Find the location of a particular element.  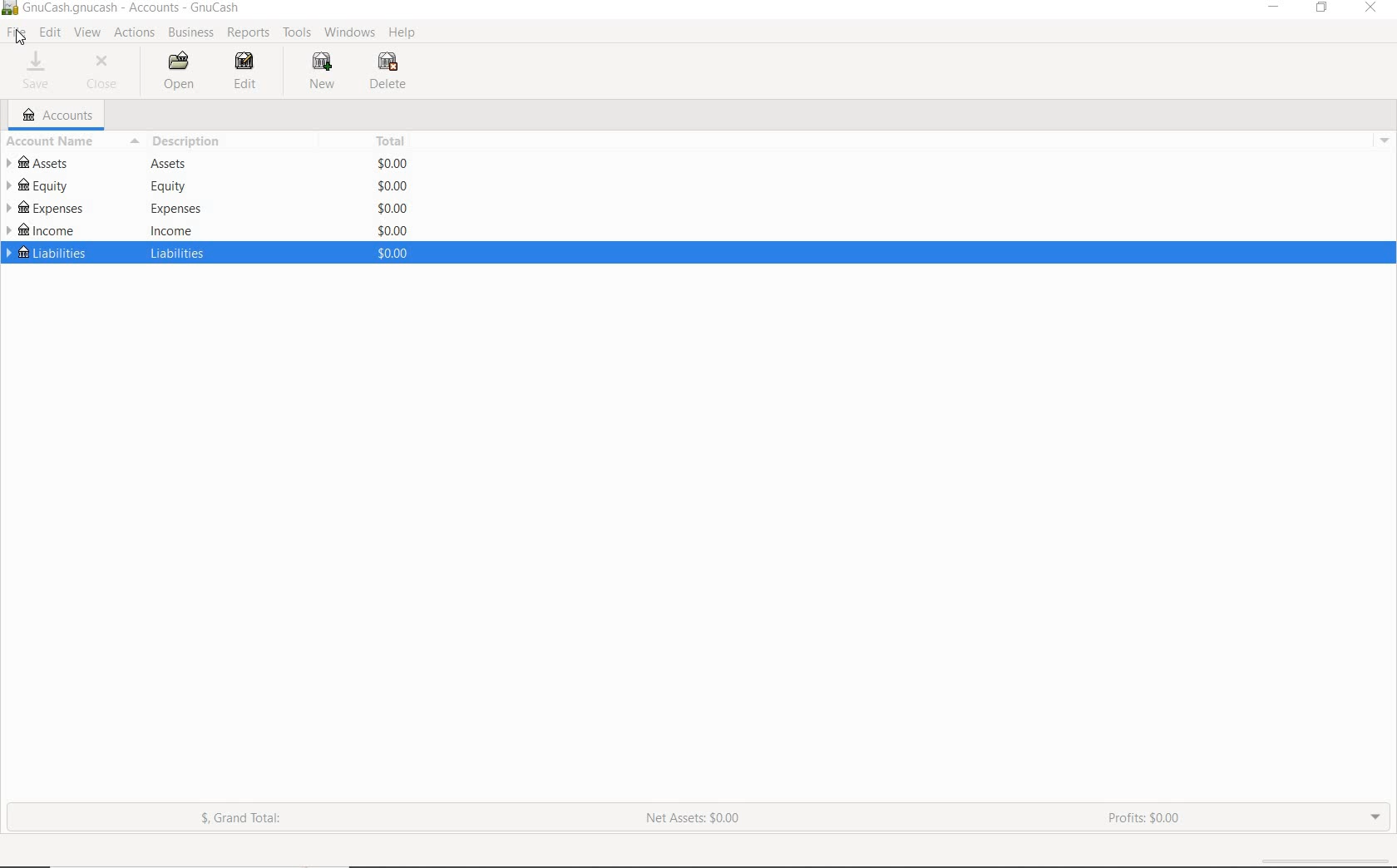

INCOME is located at coordinates (44, 230).